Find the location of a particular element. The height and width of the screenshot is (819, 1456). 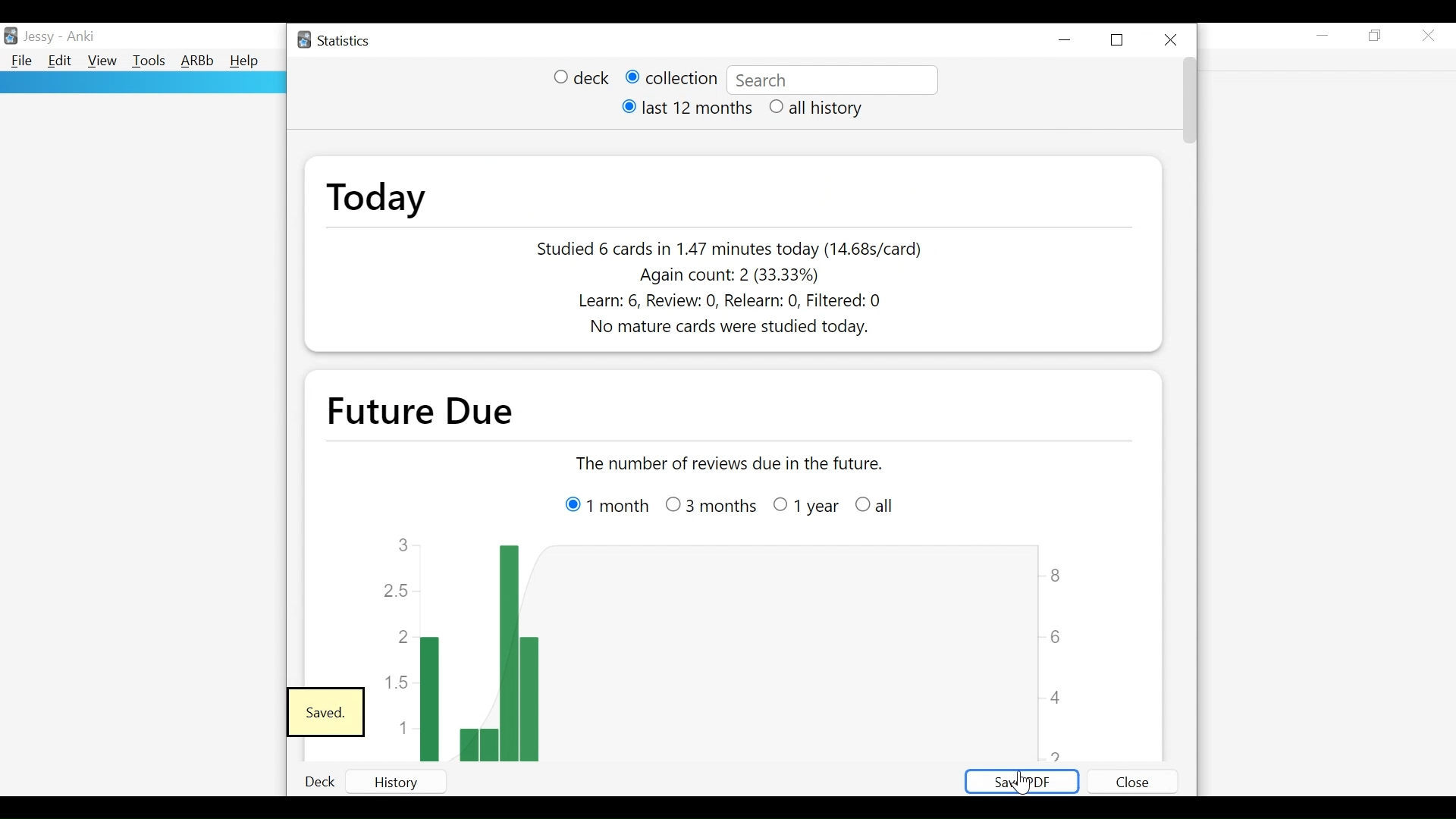

Restore is located at coordinates (1120, 39).